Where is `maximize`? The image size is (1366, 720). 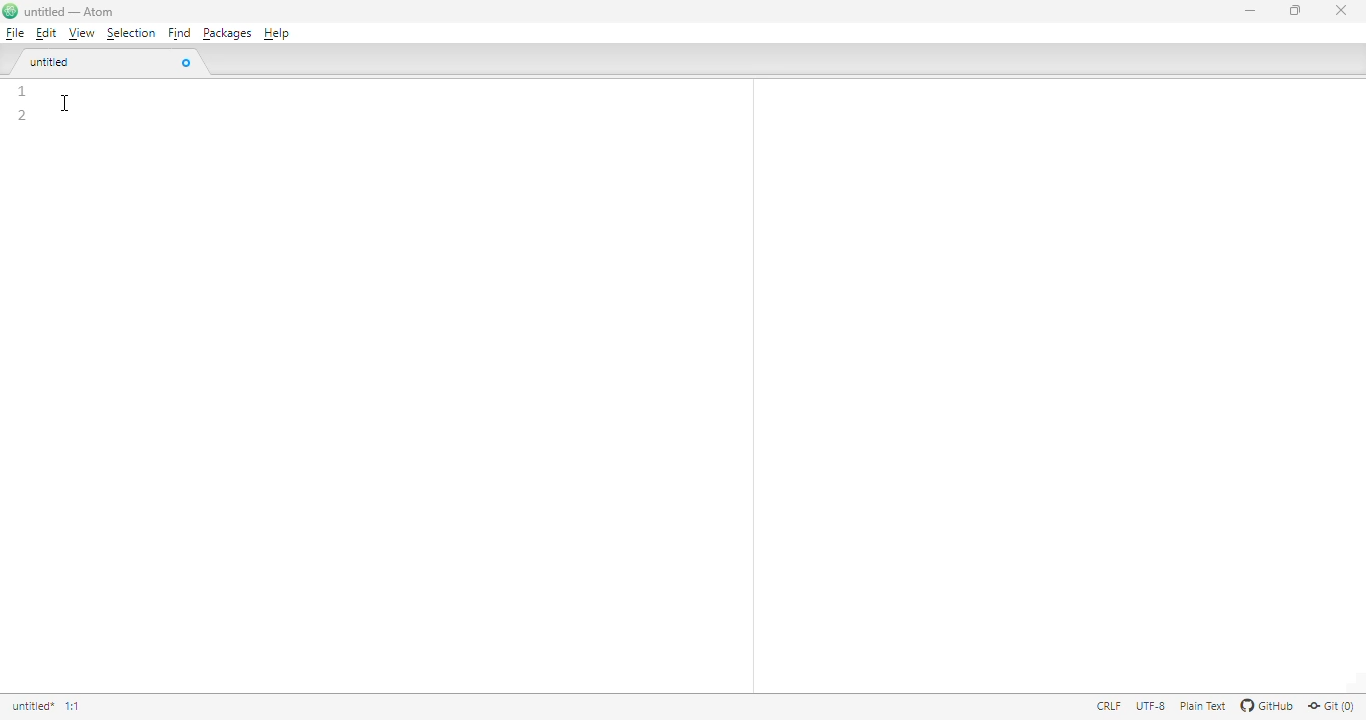
maximize is located at coordinates (1294, 9).